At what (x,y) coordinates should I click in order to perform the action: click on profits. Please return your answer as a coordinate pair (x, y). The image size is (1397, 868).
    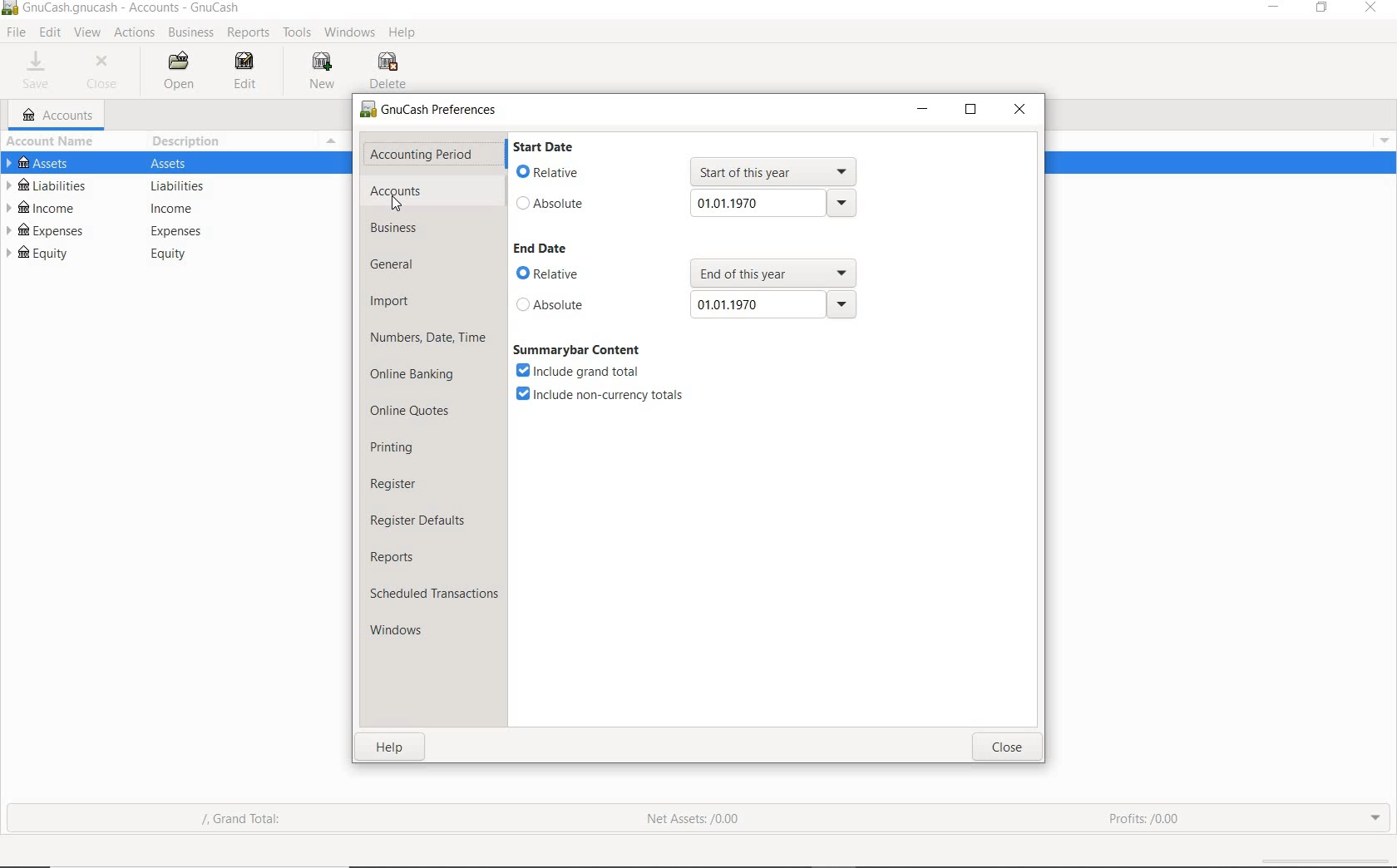
    Looking at the image, I should click on (1146, 814).